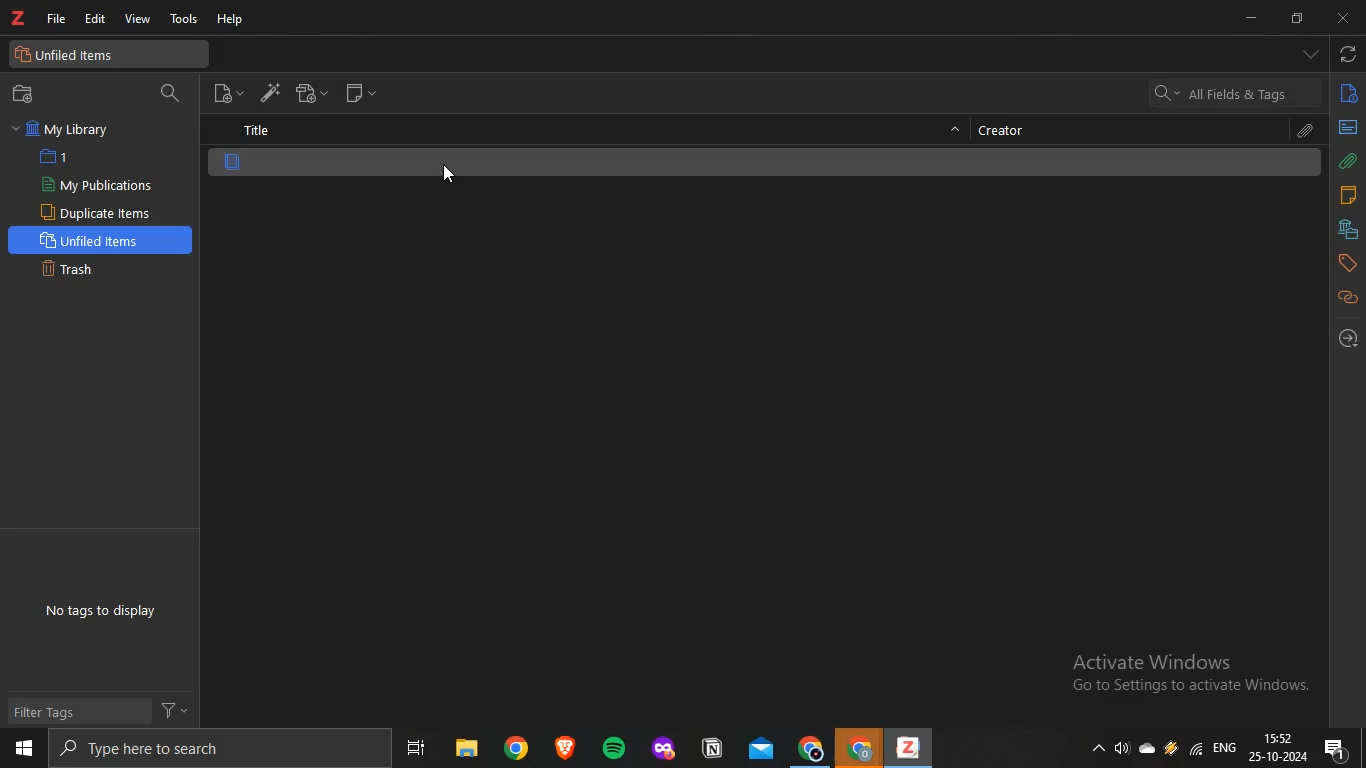 The image size is (1366, 768). Describe the element at coordinates (1150, 746) in the screenshot. I see `cloud` at that location.